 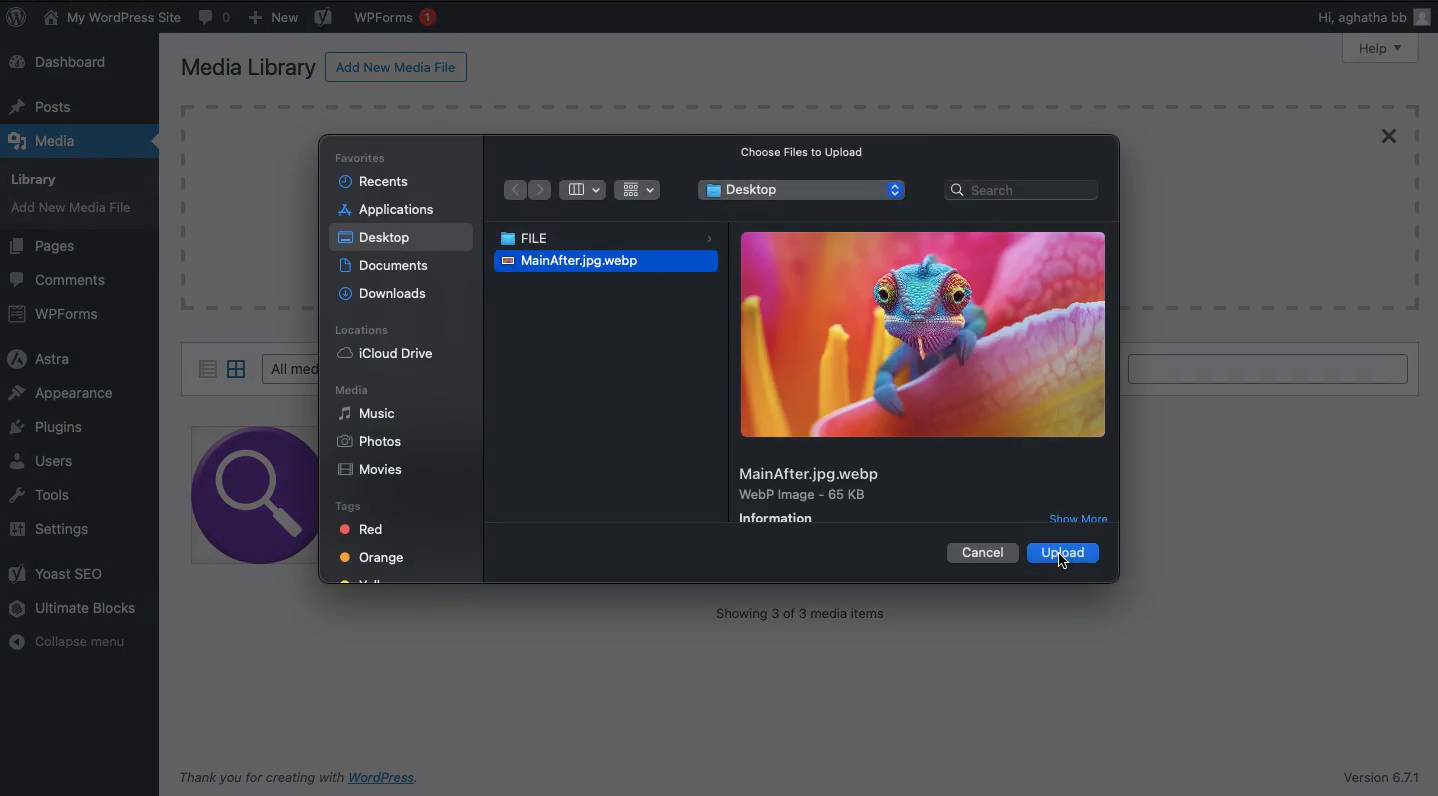 I want to click on iCloud drive , so click(x=386, y=354).